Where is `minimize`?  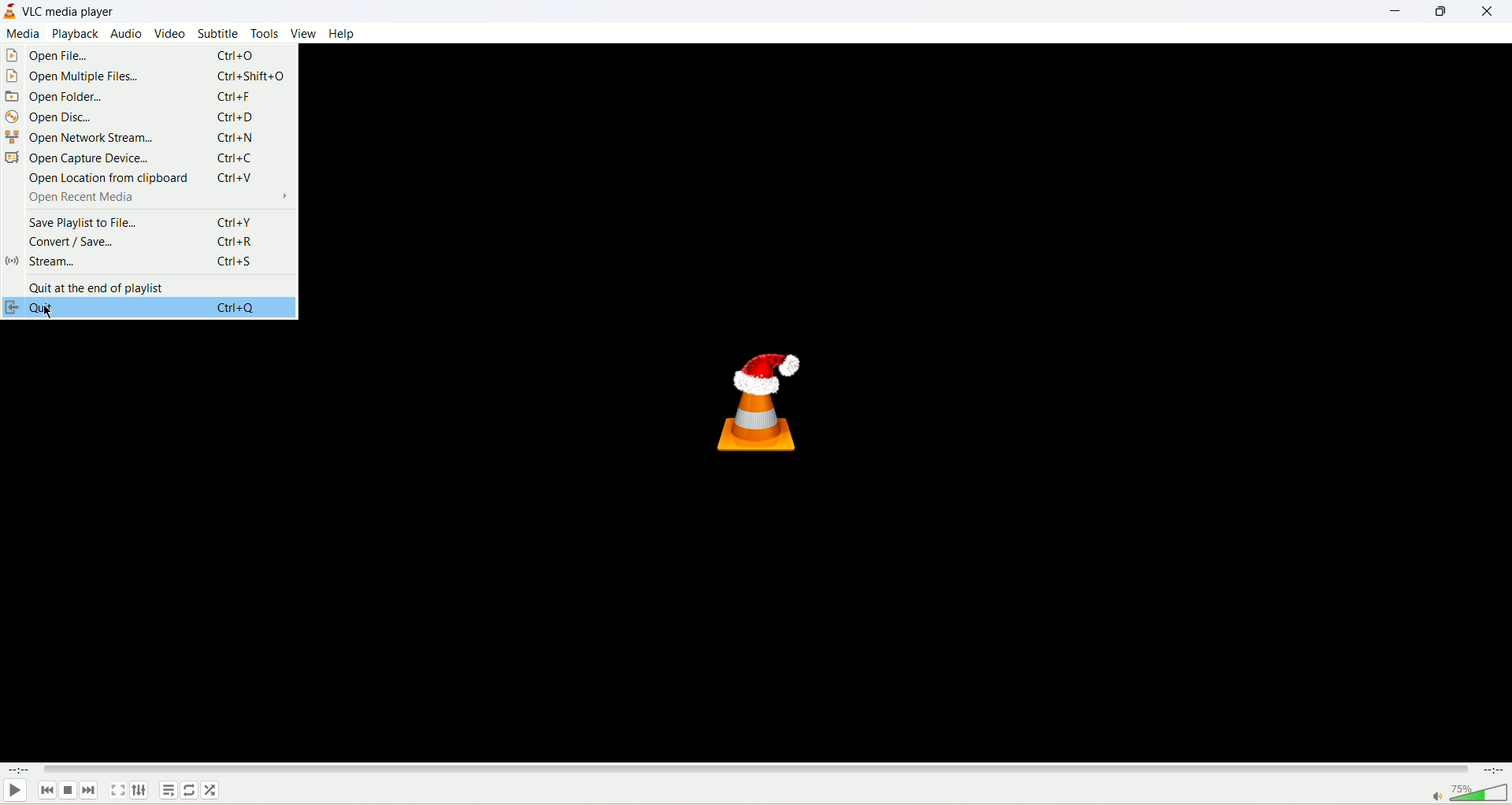 minimize is located at coordinates (1389, 11).